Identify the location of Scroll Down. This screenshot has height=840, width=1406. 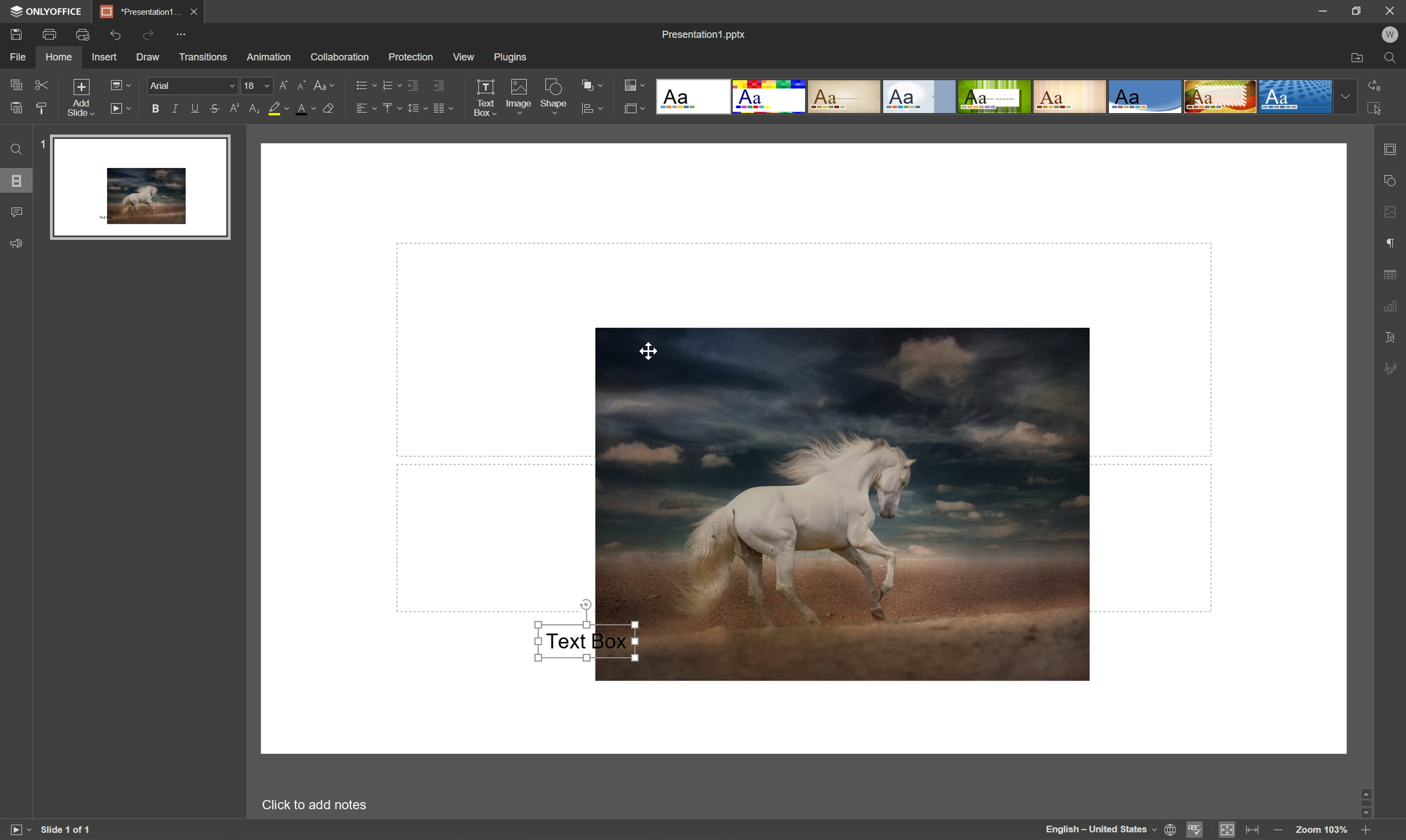
(1366, 812).